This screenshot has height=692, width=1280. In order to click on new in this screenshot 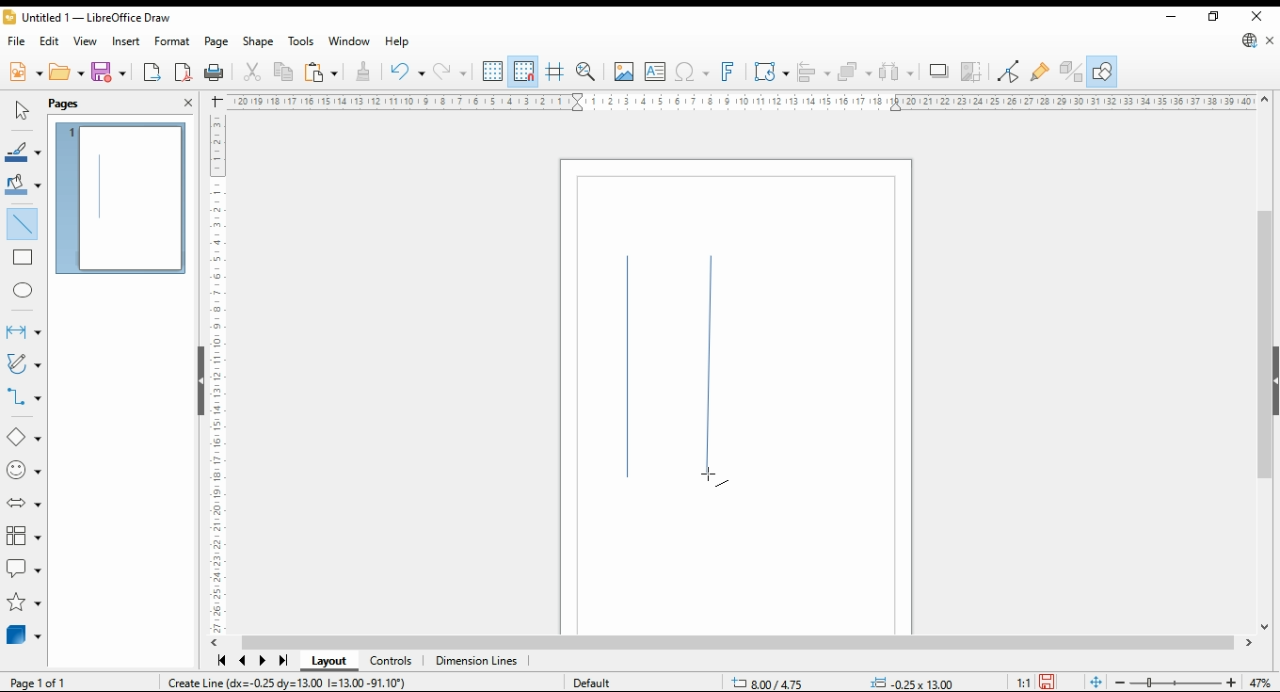, I will do `click(24, 74)`.